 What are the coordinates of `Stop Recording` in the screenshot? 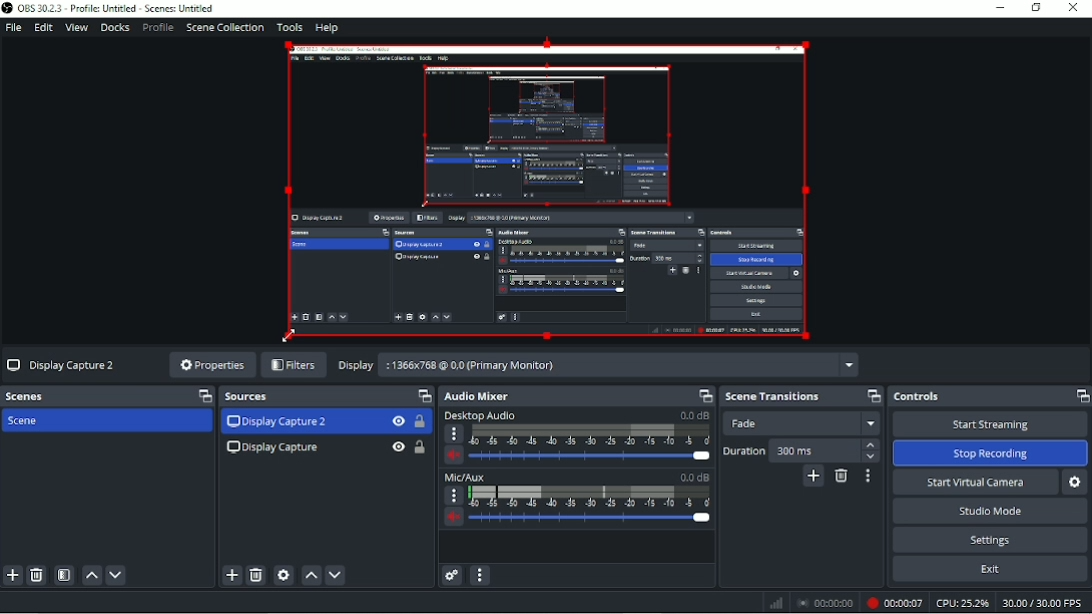 It's located at (991, 454).